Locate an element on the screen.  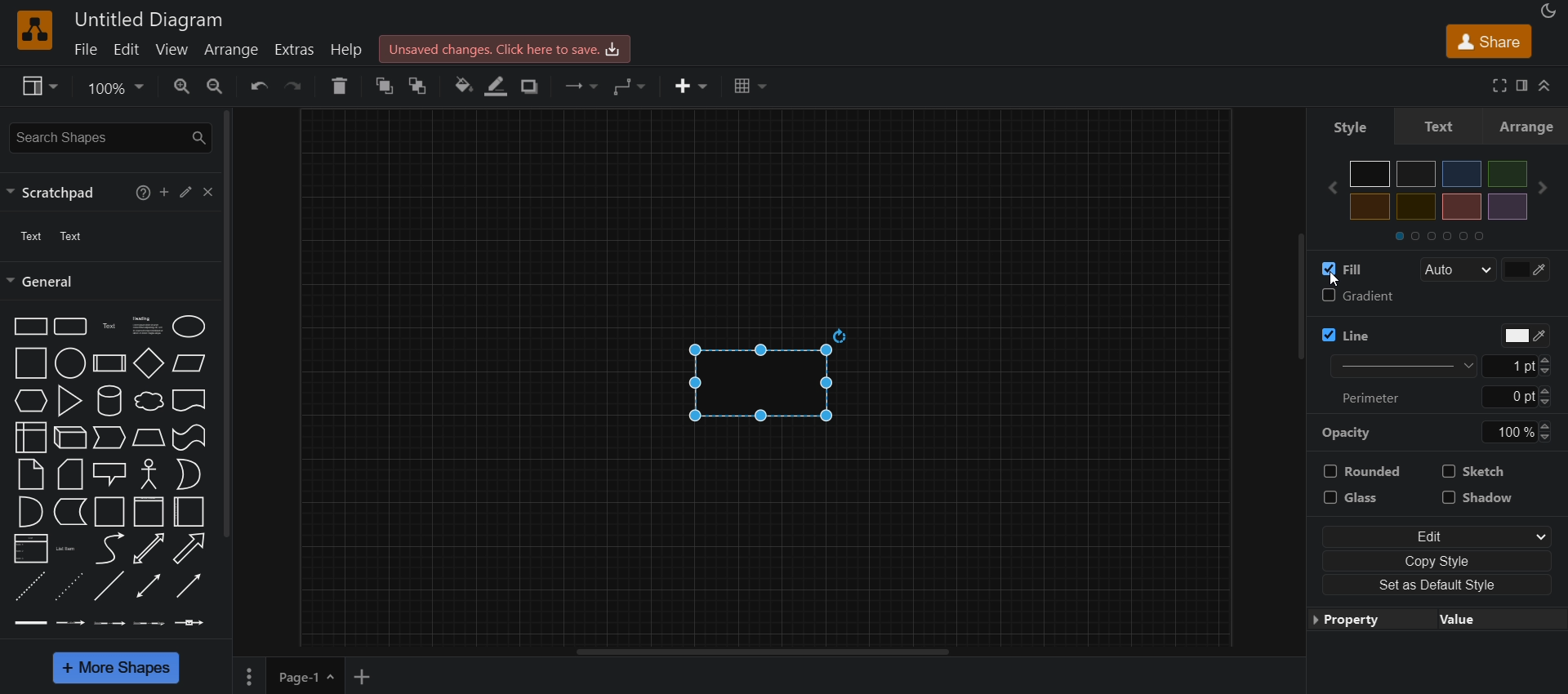
rectangle is located at coordinates (751, 384).